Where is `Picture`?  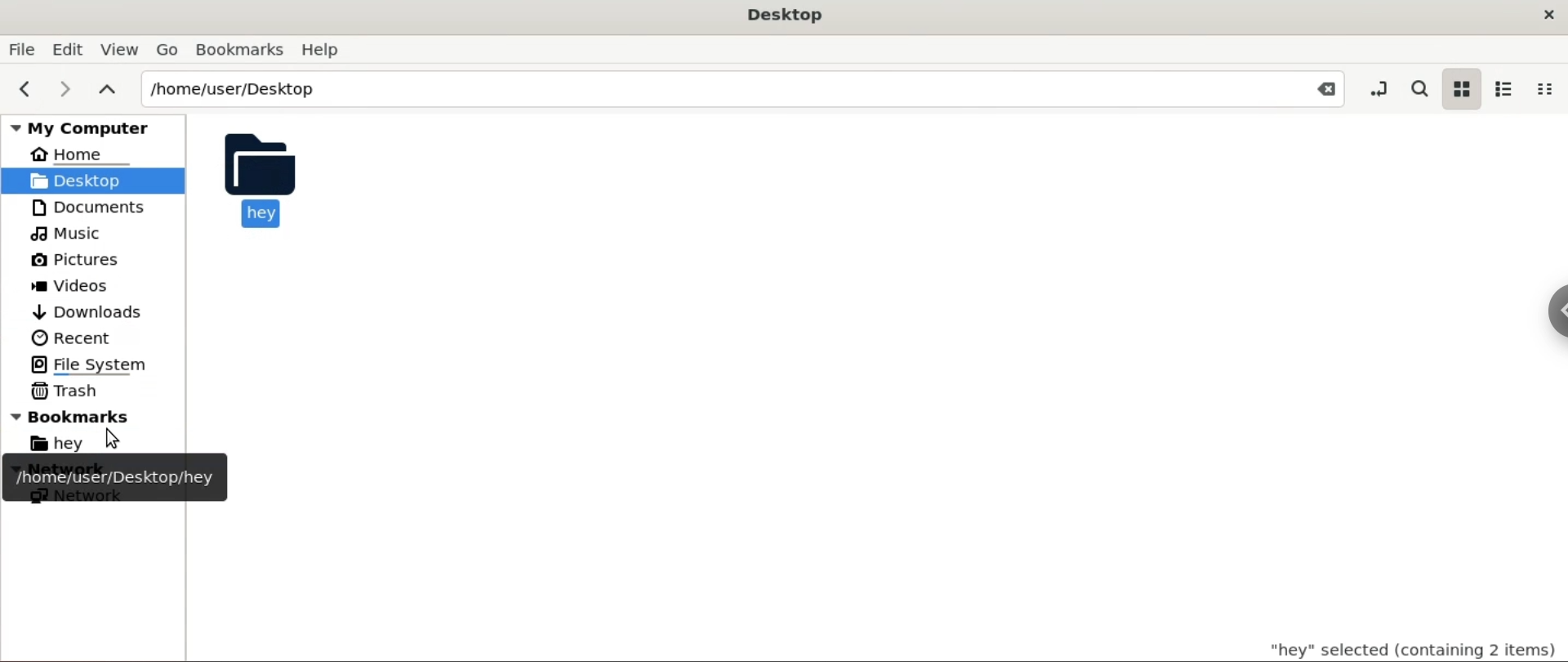
Picture is located at coordinates (85, 261).